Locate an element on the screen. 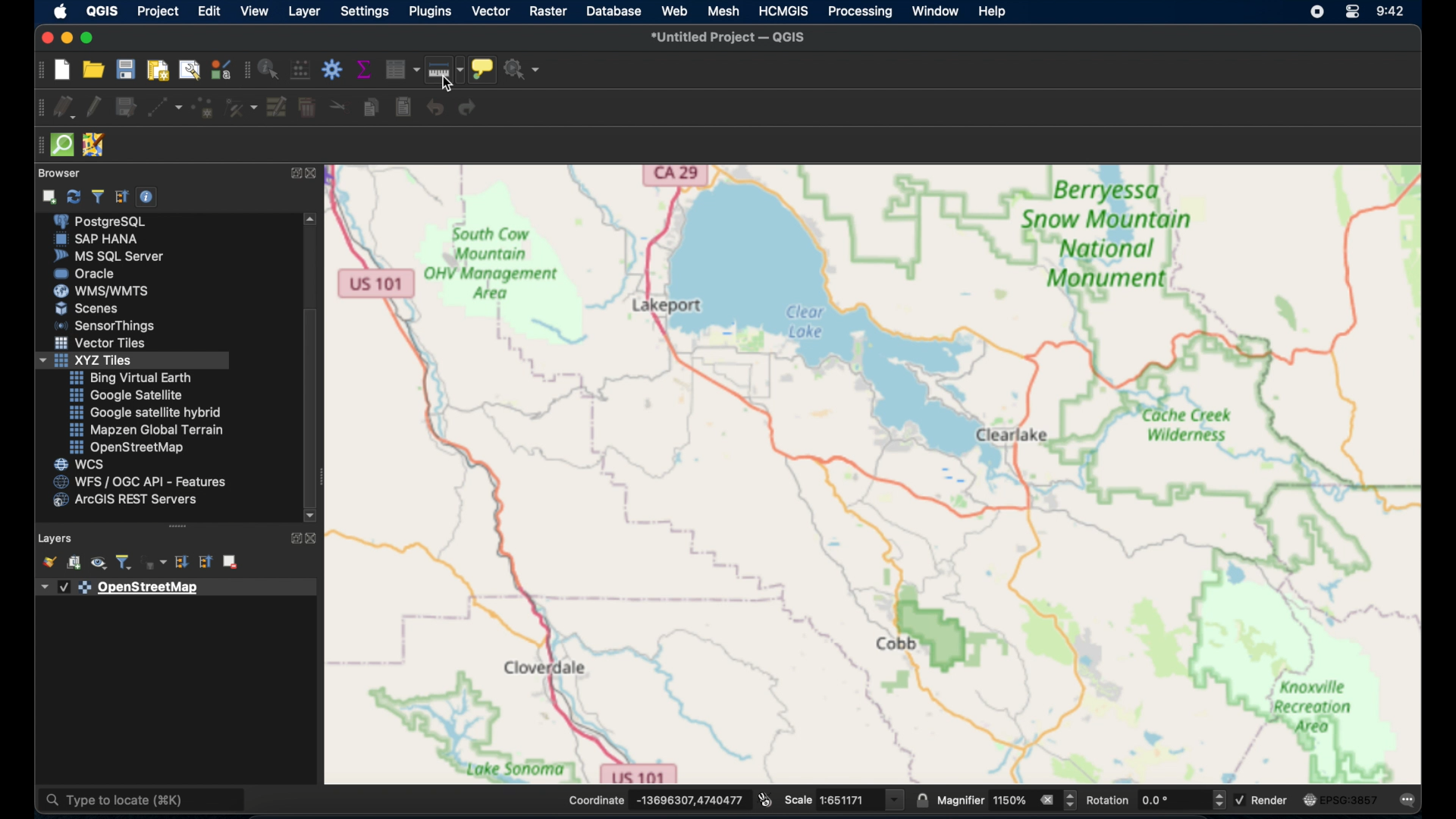 The image size is (1456, 819). measure line is located at coordinates (444, 70).